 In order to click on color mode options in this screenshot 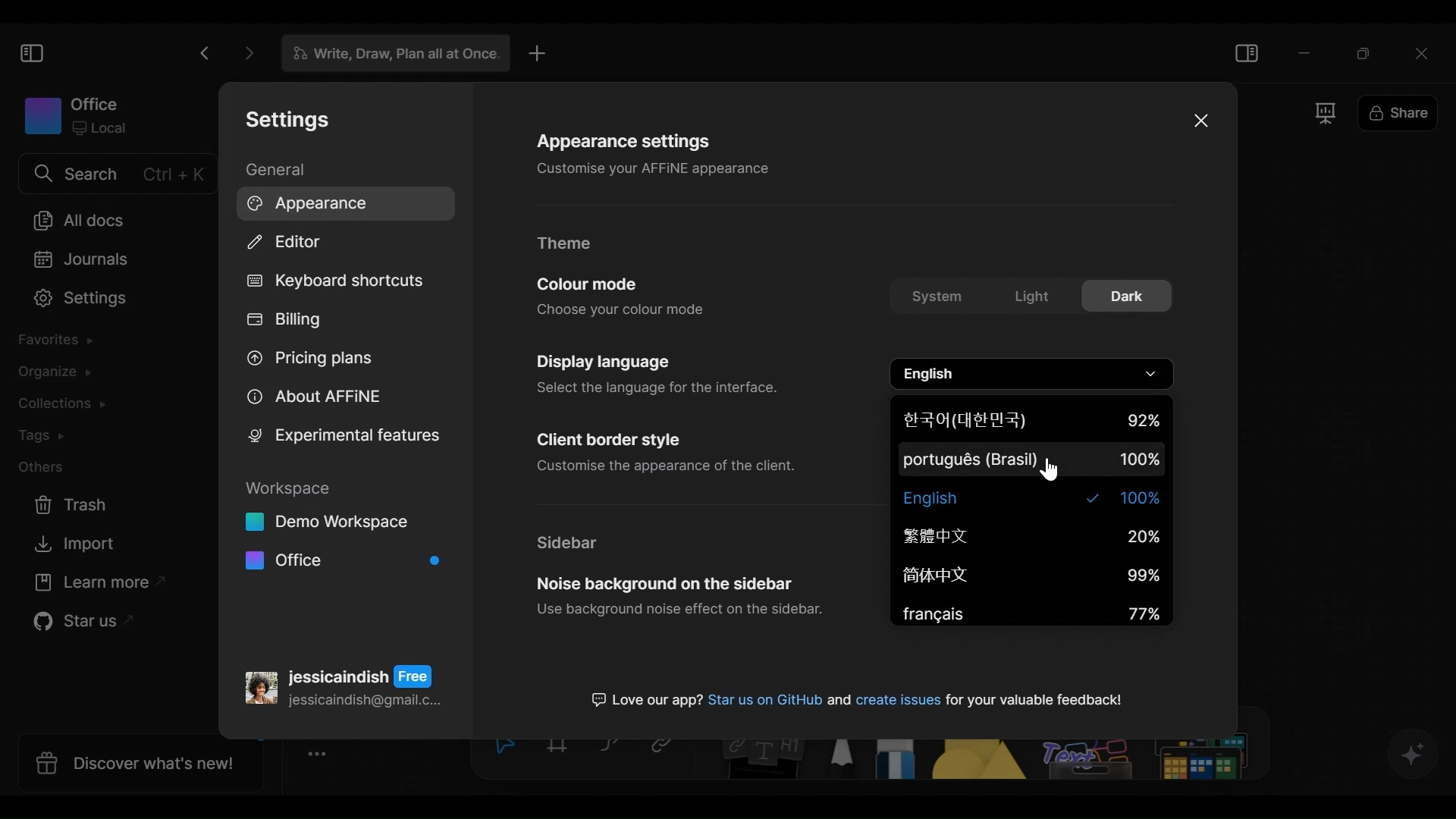, I will do `click(1031, 298)`.